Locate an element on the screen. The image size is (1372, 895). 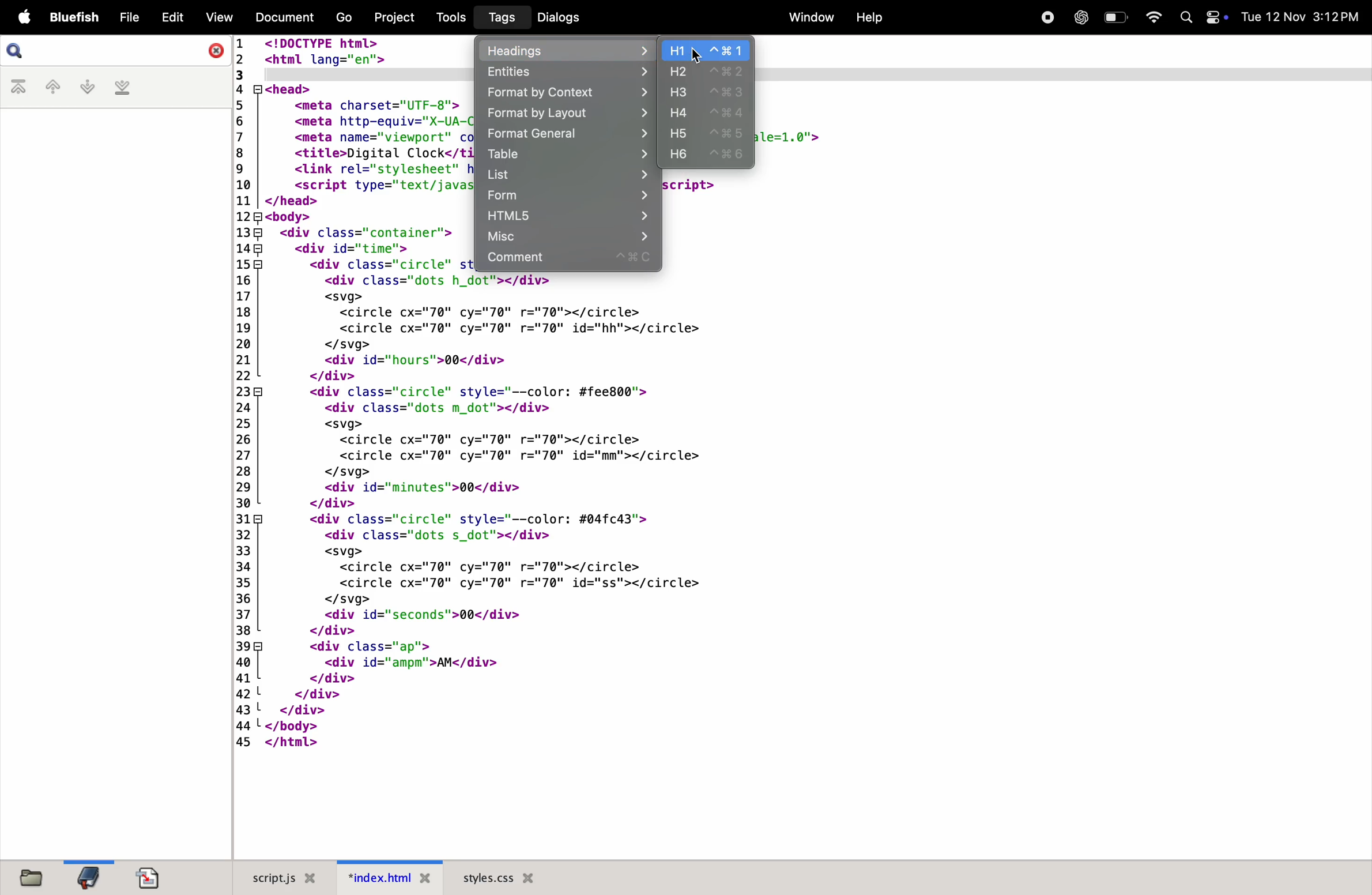
tools is located at coordinates (447, 17).